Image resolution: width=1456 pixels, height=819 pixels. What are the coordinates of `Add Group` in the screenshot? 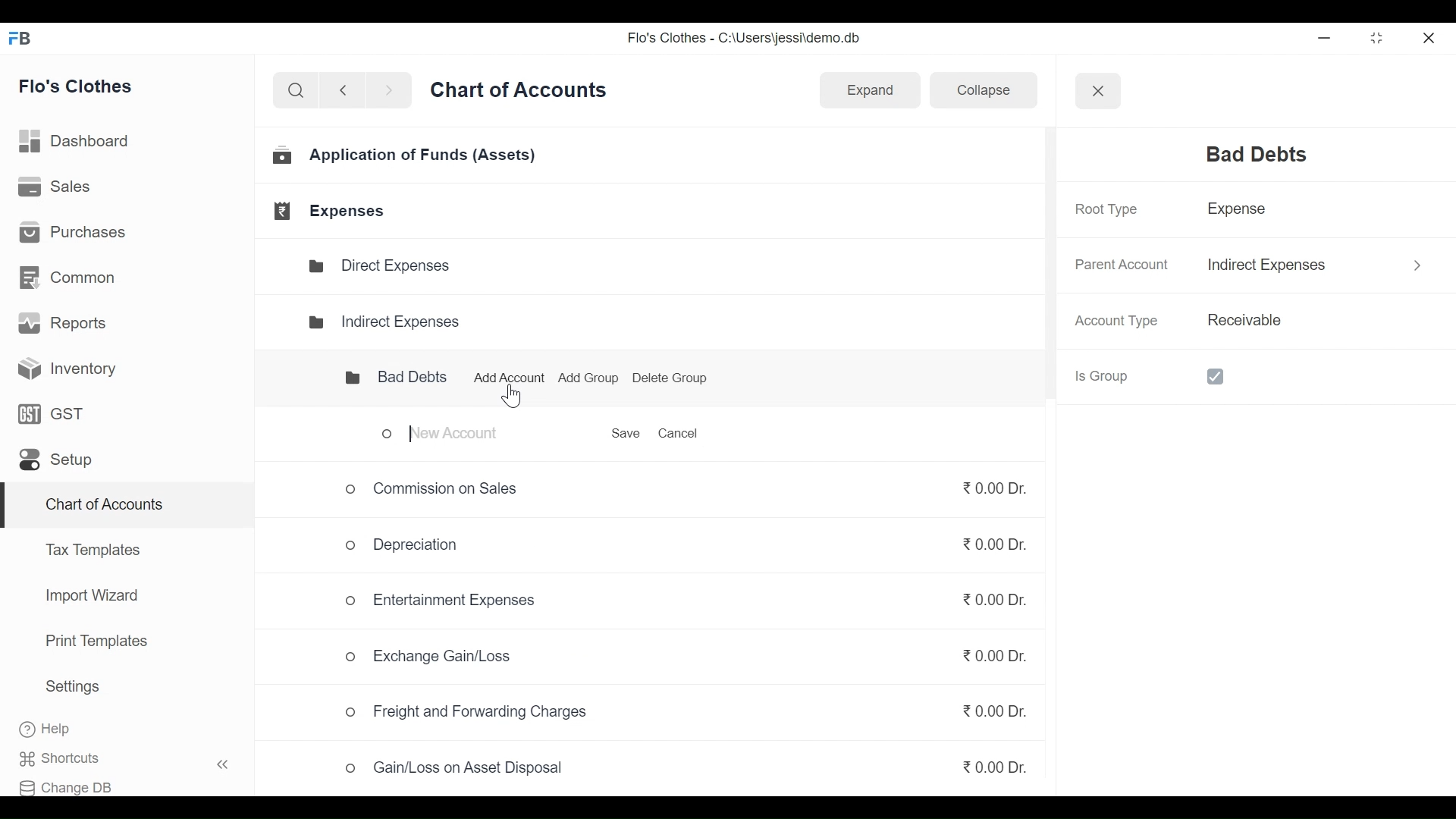 It's located at (591, 379).